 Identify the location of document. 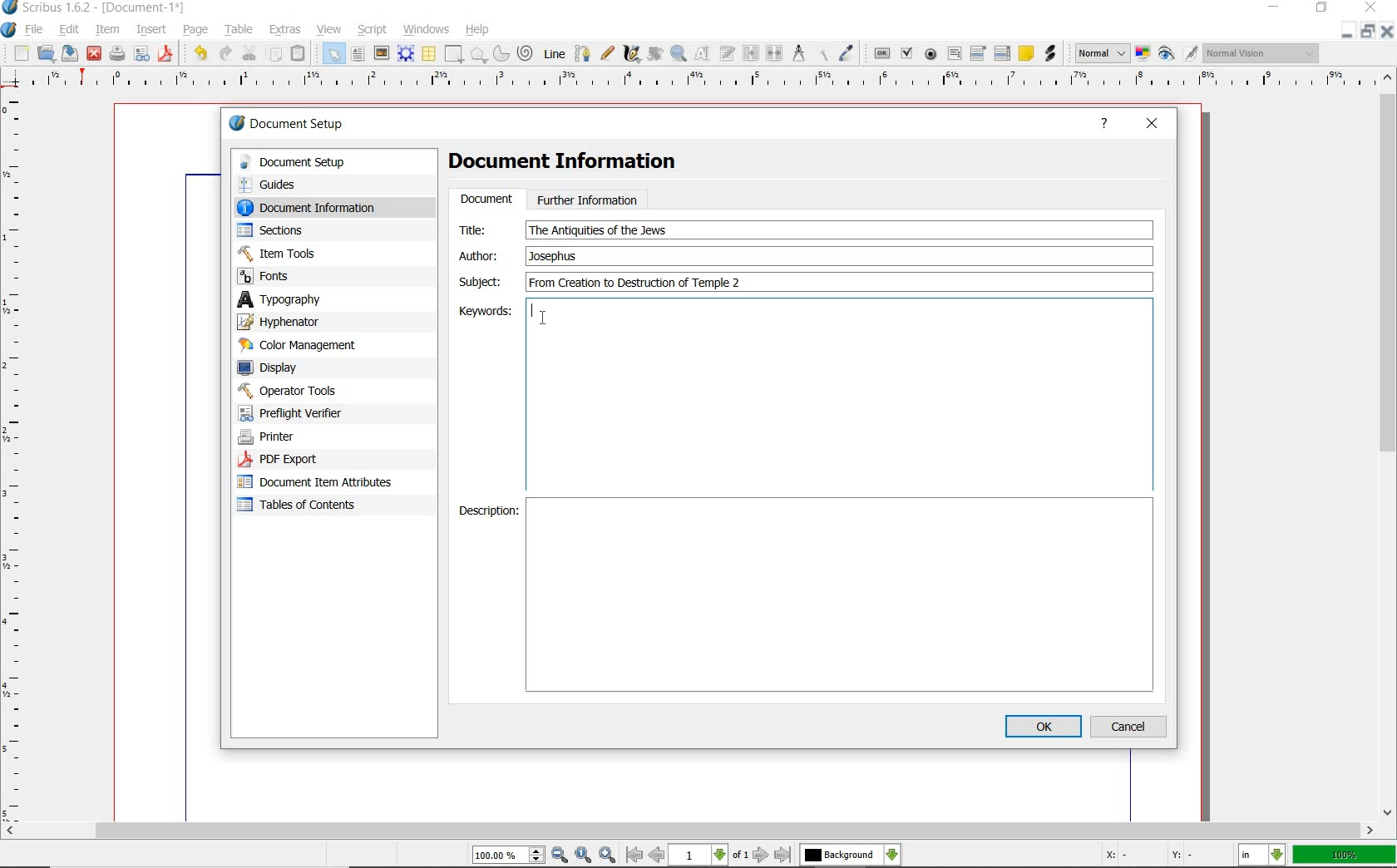
(486, 200).